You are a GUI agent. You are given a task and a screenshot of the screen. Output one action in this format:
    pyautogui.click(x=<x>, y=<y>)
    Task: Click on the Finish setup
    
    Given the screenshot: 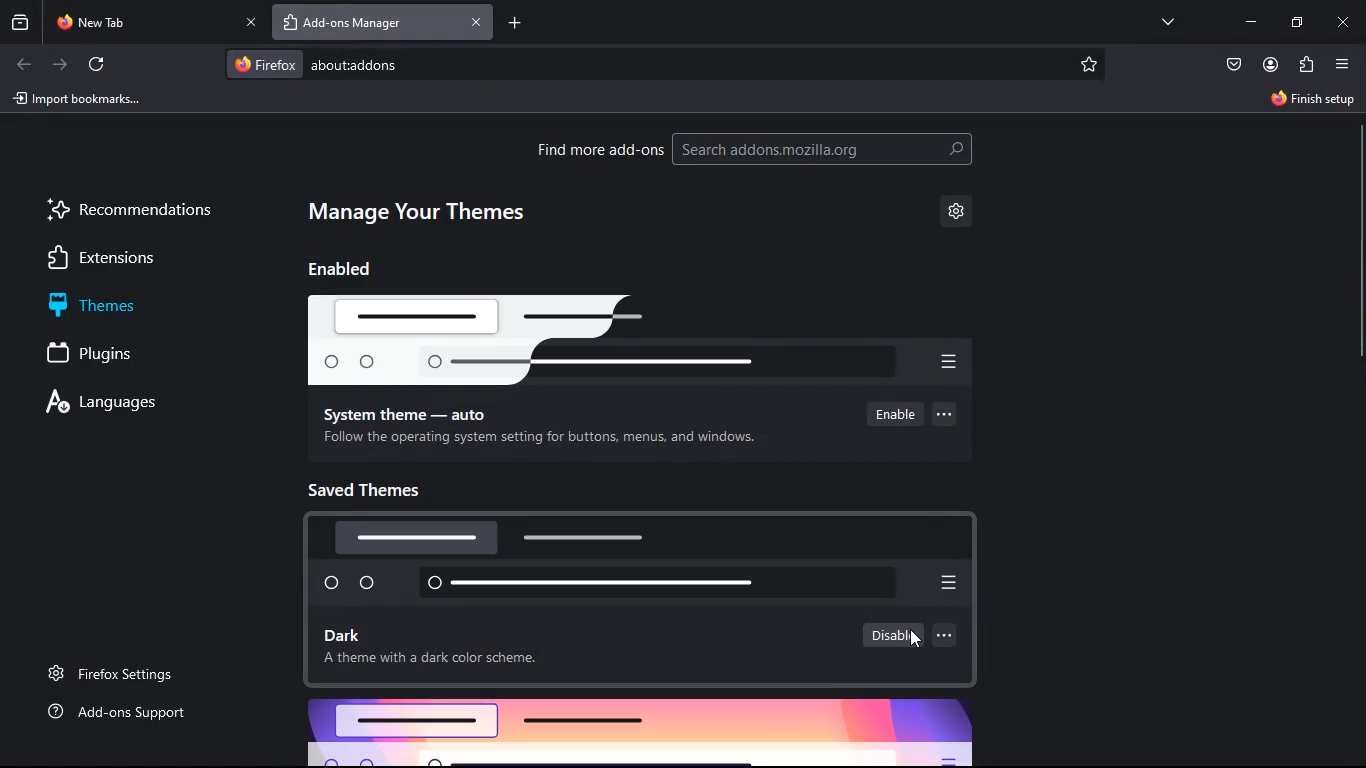 What is the action you would take?
    pyautogui.click(x=1314, y=99)
    